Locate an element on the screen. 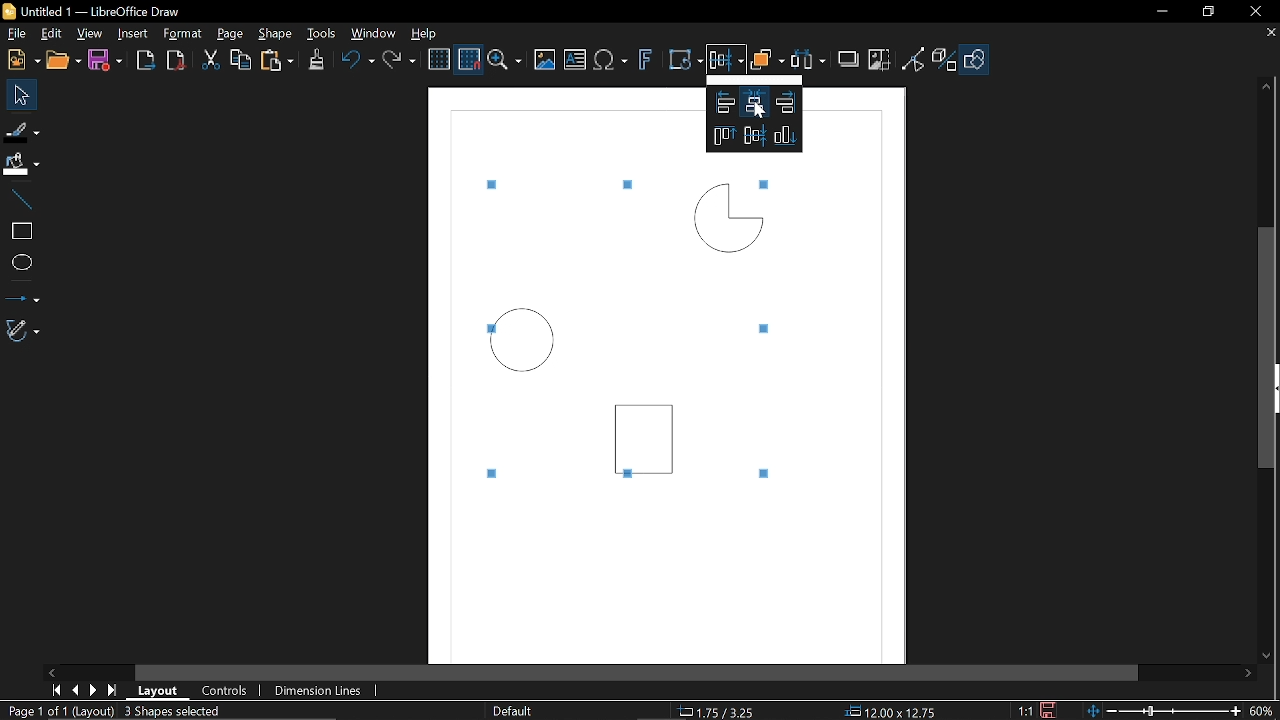 This screenshot has width=1280, height=720. Rectangle is located at coordinates (18, 229).